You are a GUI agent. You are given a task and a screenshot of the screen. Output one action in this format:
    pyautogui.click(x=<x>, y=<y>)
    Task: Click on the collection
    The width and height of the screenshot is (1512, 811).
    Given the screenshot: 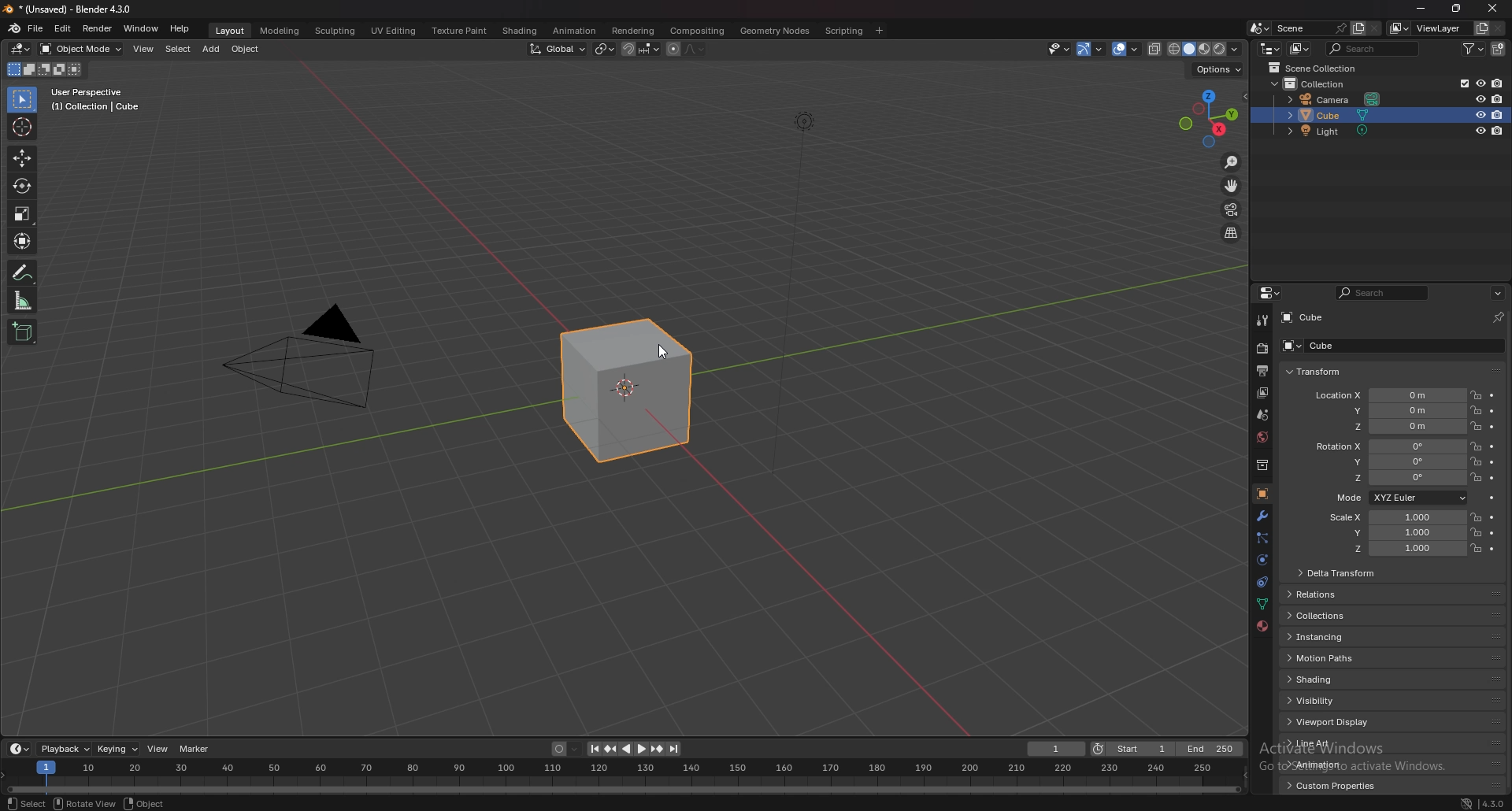 What is the action you would take?
    pyautogui.click(x=1262, y=464)
    